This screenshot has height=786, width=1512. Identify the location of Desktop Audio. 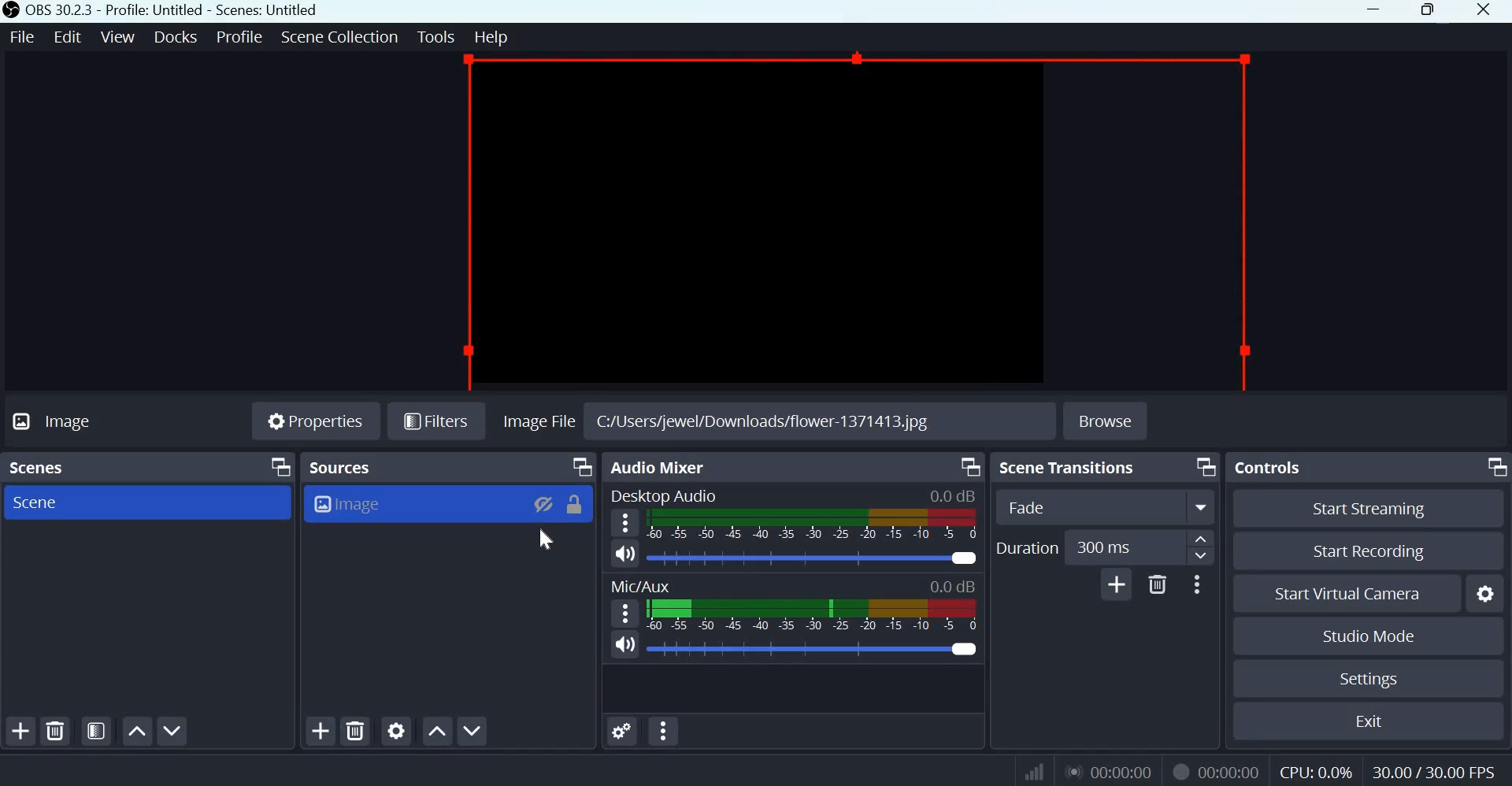
(665, 495).